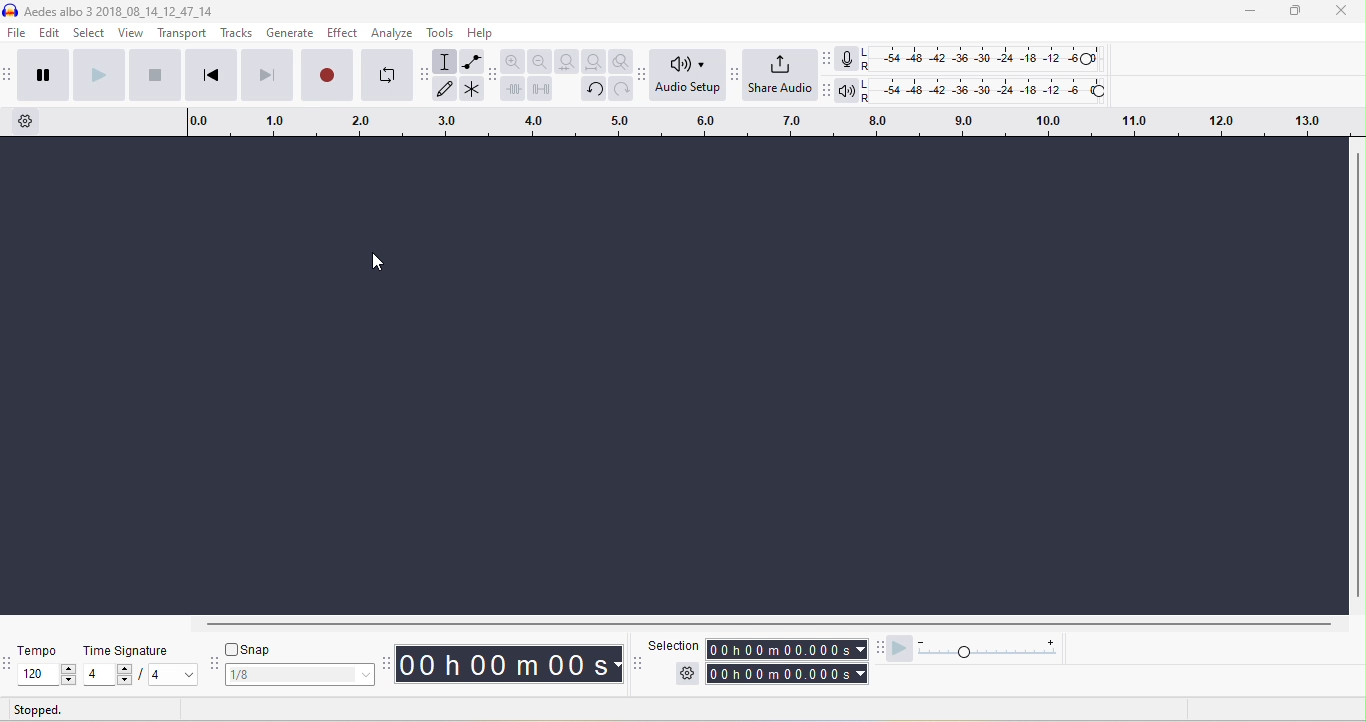  I want to click on Audacity audio setup toolbar, so click(643, 75).